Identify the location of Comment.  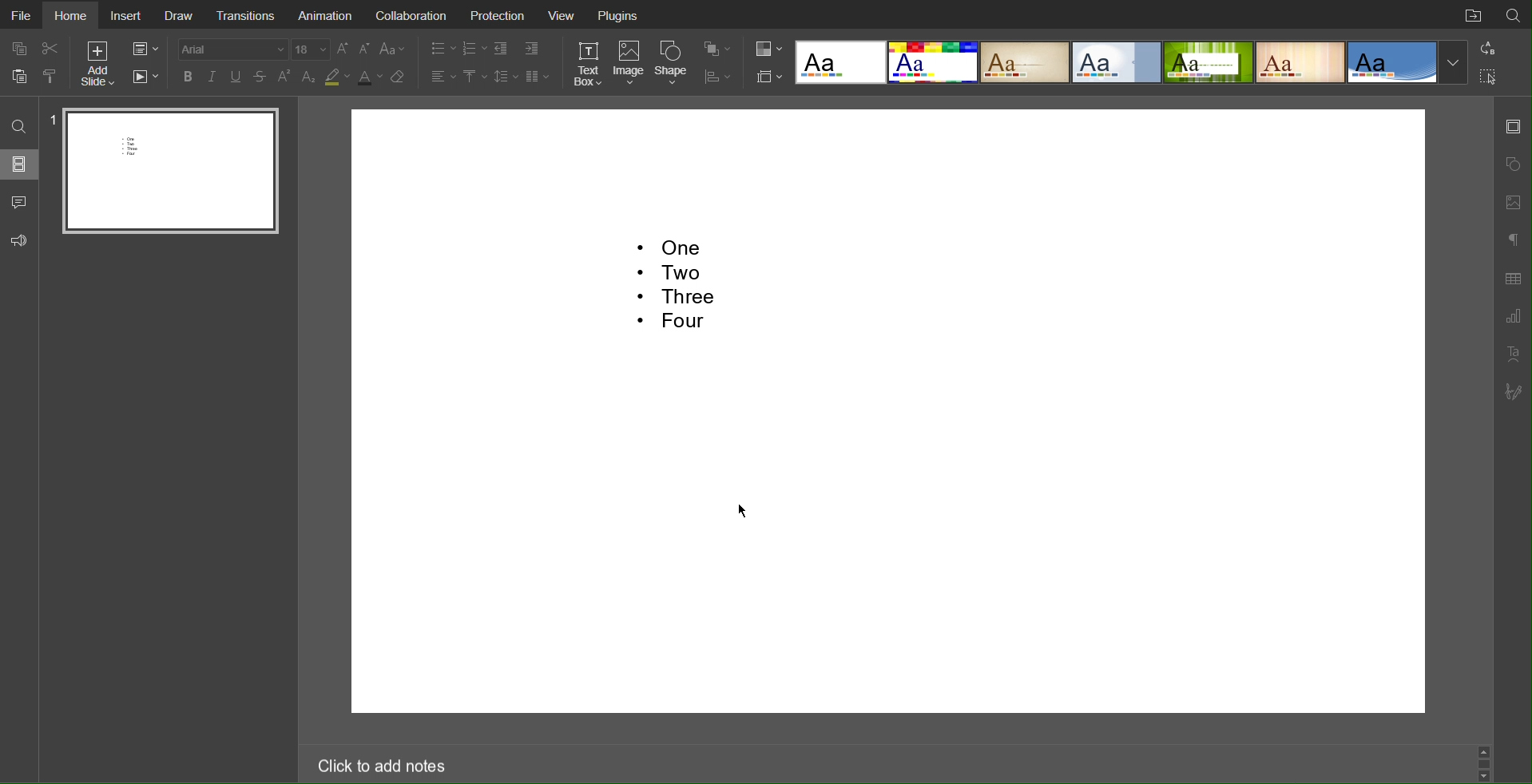
(20, 202).